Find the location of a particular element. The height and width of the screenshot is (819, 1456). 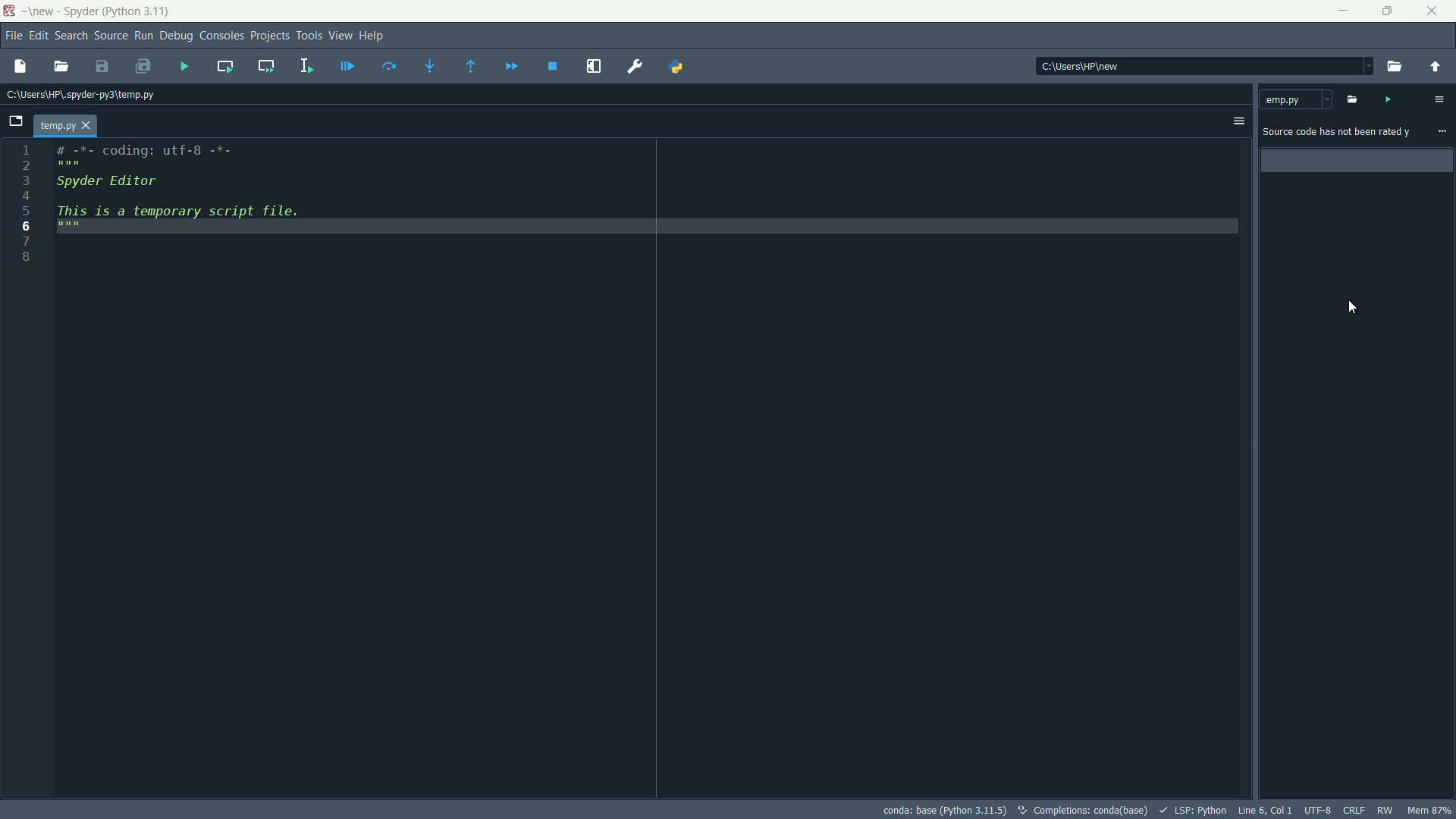

python 3.11 is located at coordinates (137, 13).